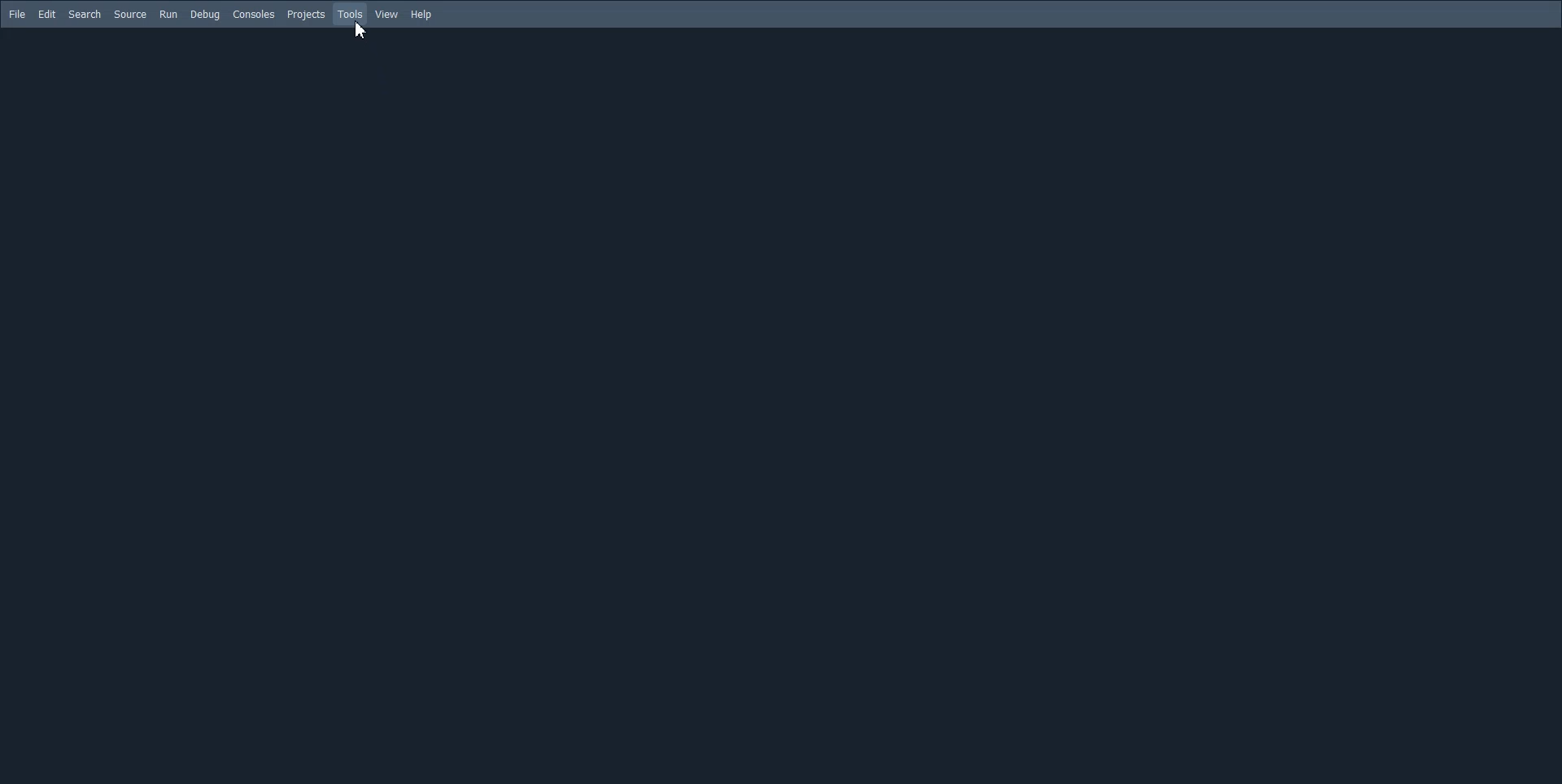 The width and height of the screenshot is (1562, 784). I want to click on Search, so click(85, 15).